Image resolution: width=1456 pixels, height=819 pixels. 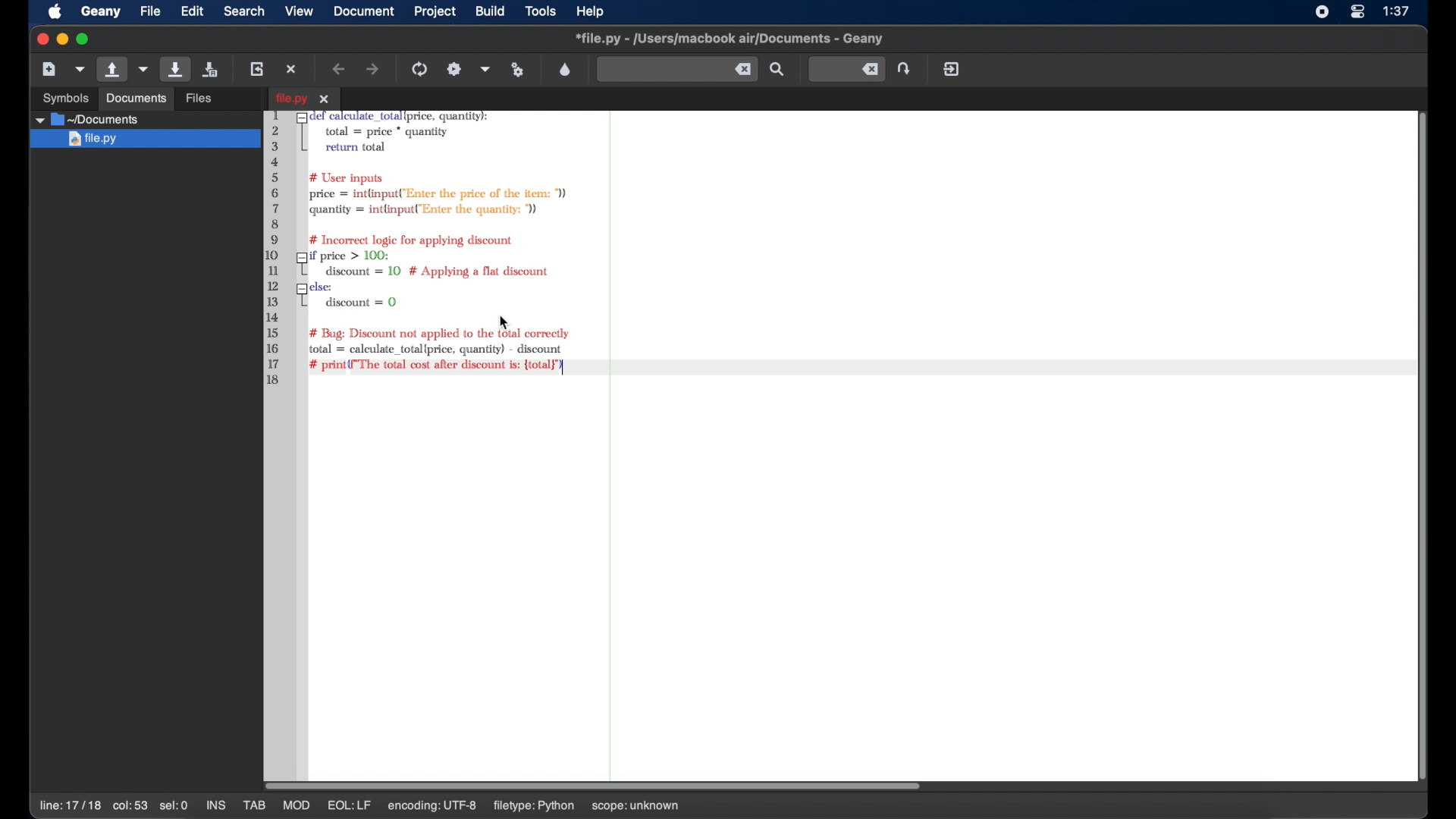 What do you see at coordinates (1357, 12) in the screenshot?
I see `control center` at bounding box center [1357, 12].